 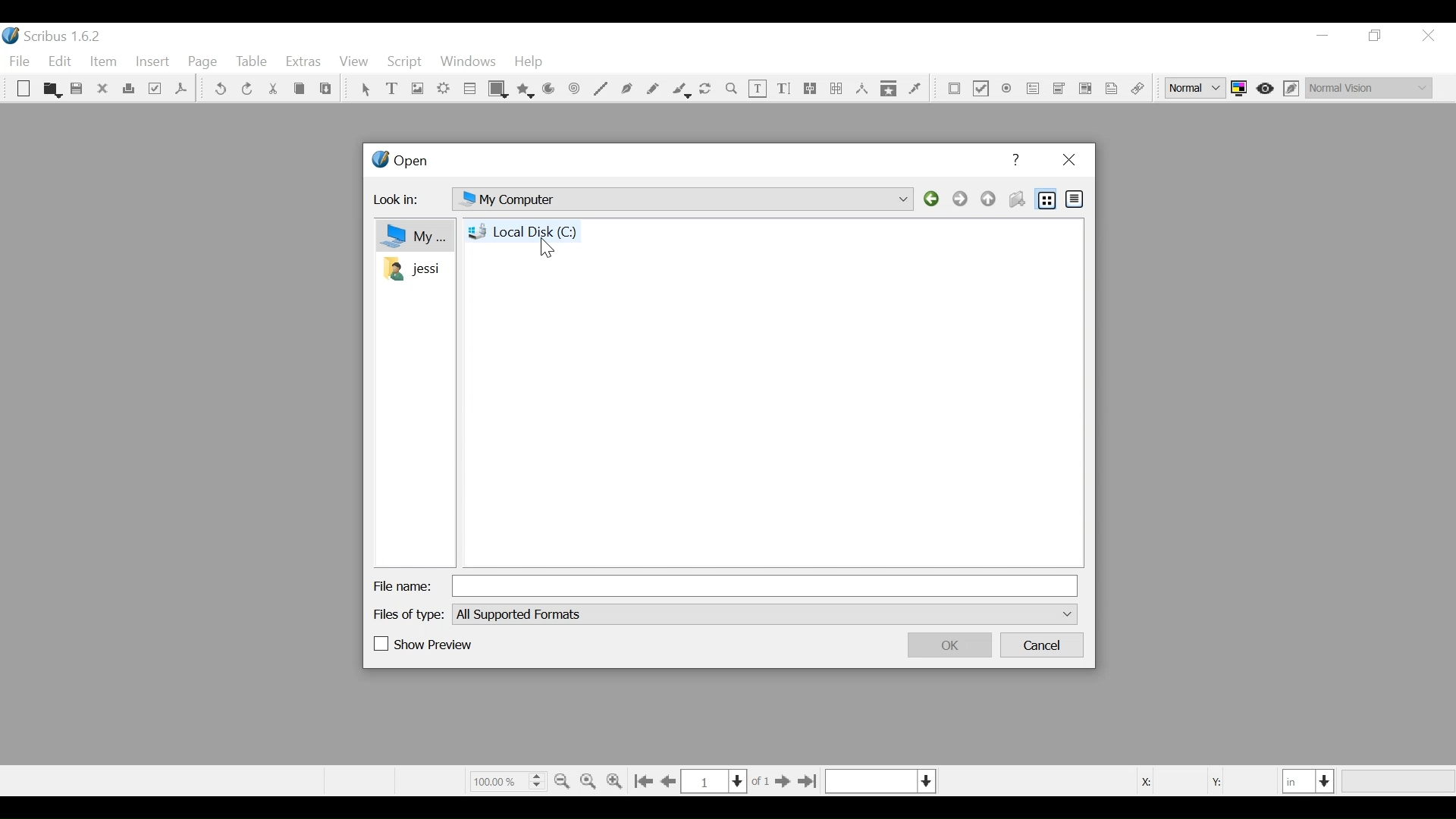 What do you see at coordinates (365, 90) in the screenshot?
I see `Select` at bounding box center [365, 90].